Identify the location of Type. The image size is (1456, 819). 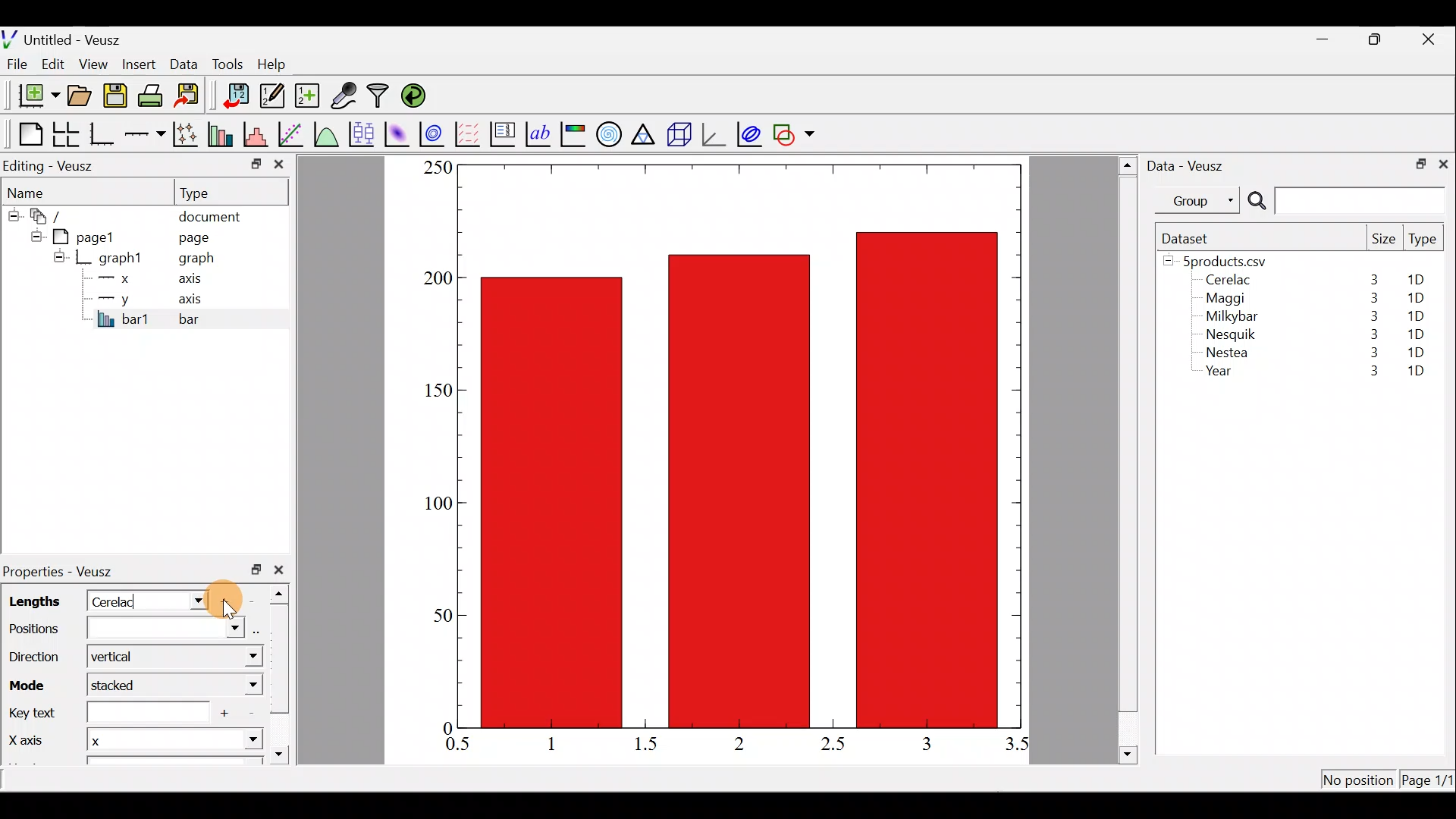
(1424, 243).